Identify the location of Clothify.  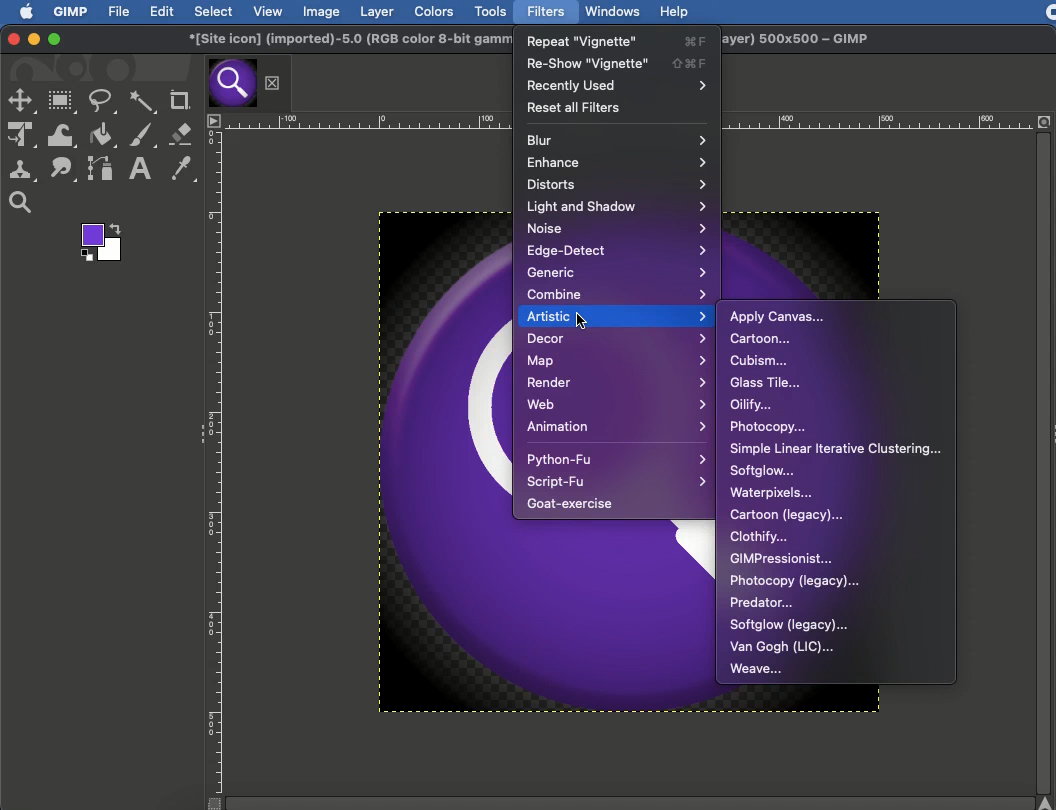
(761, 537).